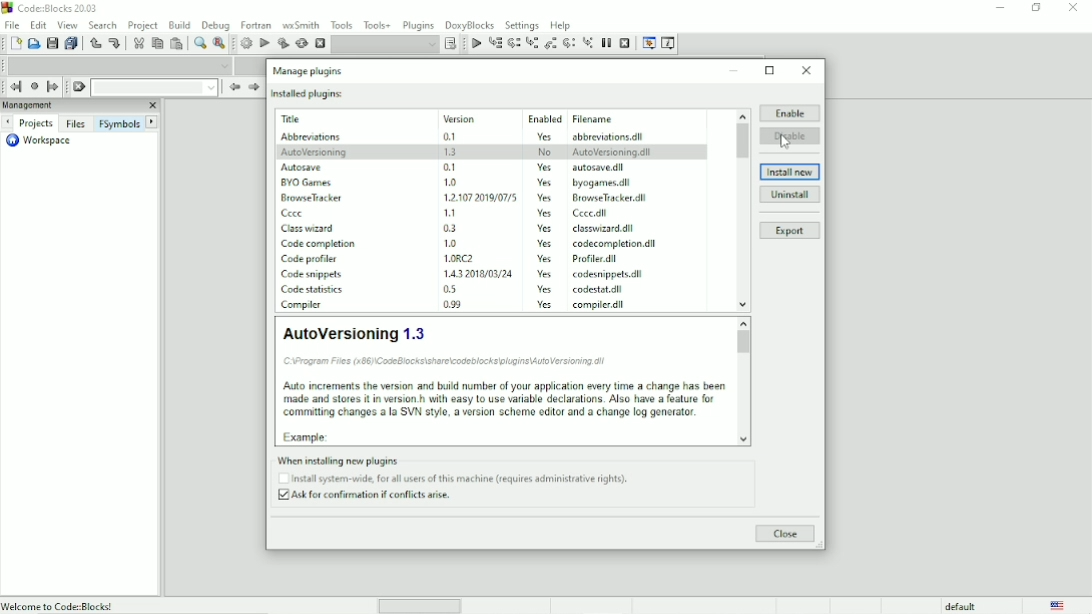 Image resolution: width=1092 pixels, height=614 pixels. I want to click on Various info, so click(669, 43).